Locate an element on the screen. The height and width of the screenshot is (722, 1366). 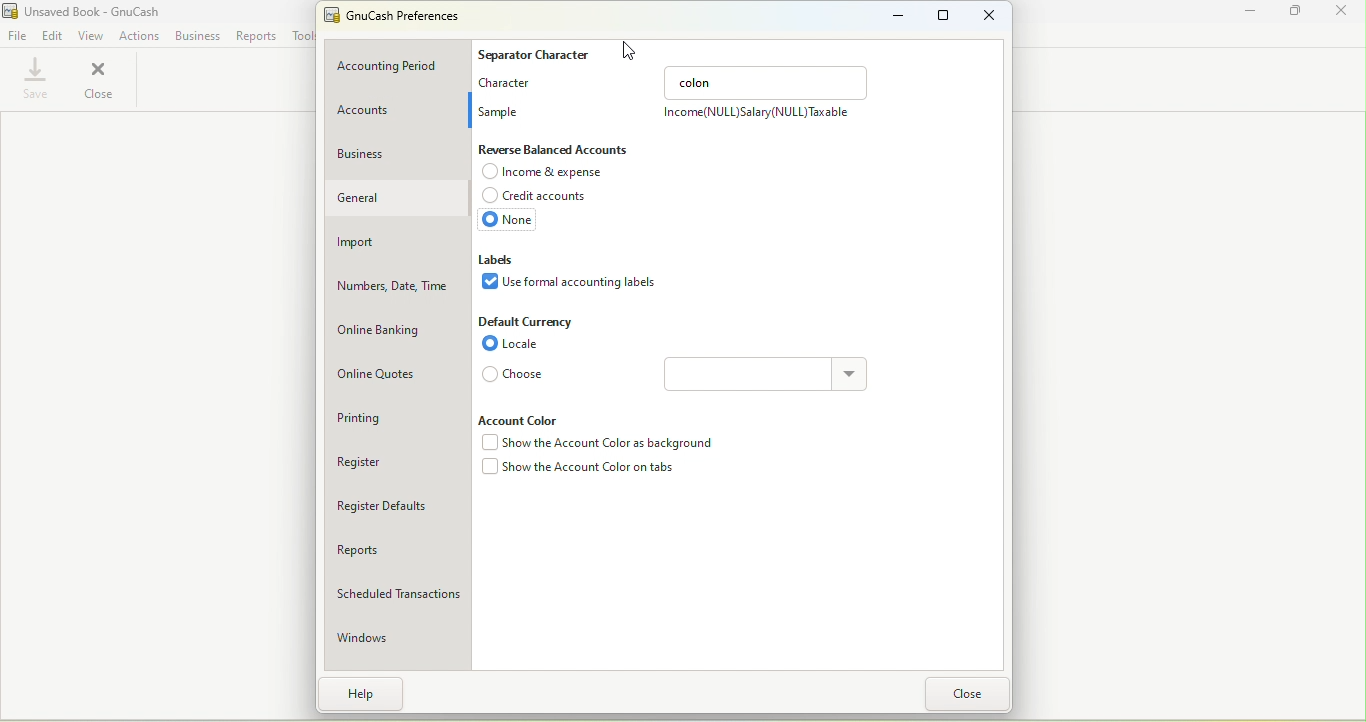
Reports is located at coordinates (399, 552).